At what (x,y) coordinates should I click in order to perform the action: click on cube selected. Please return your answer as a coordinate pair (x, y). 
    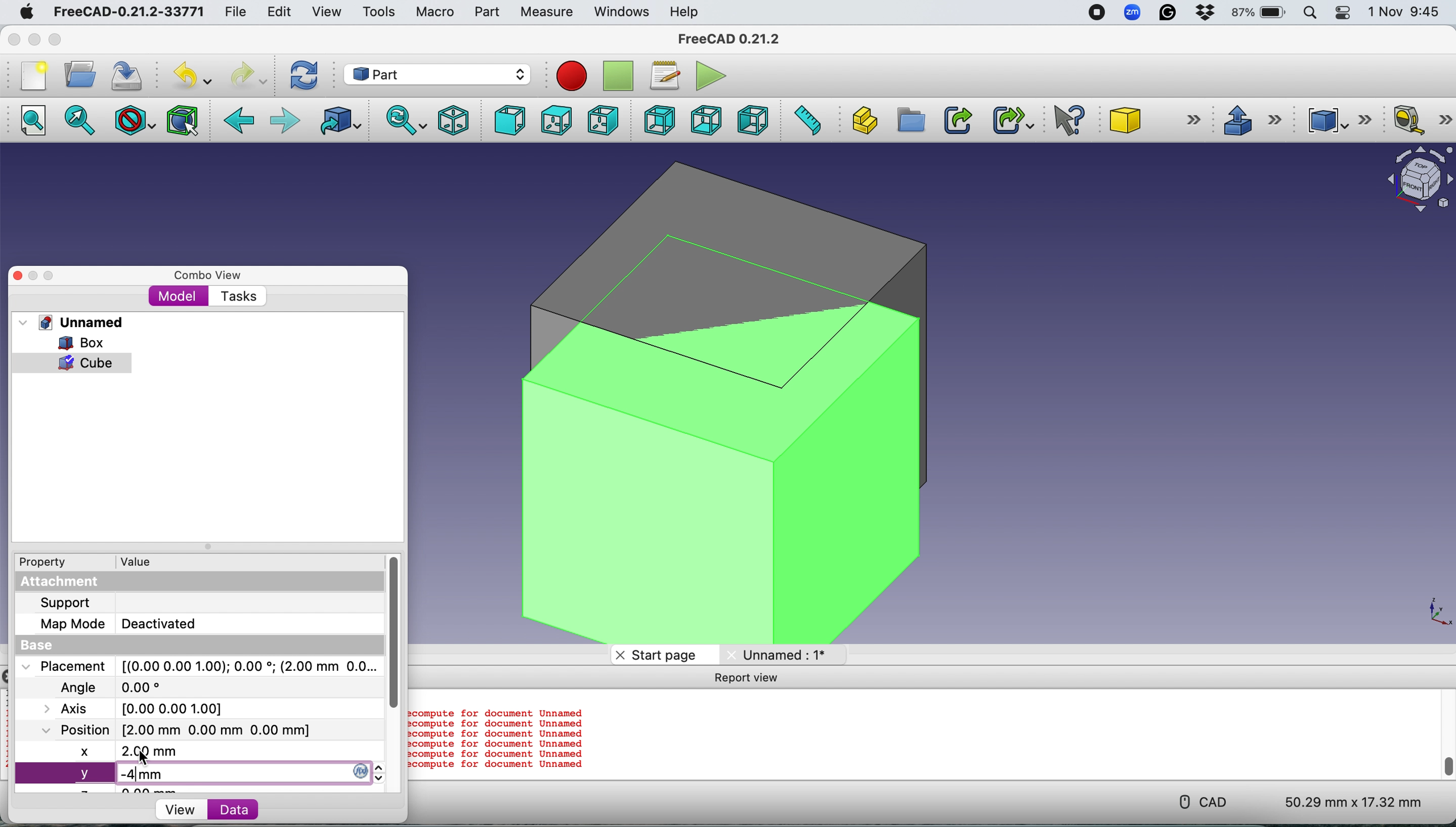
    Looking at the image, I should click on (78, 364).